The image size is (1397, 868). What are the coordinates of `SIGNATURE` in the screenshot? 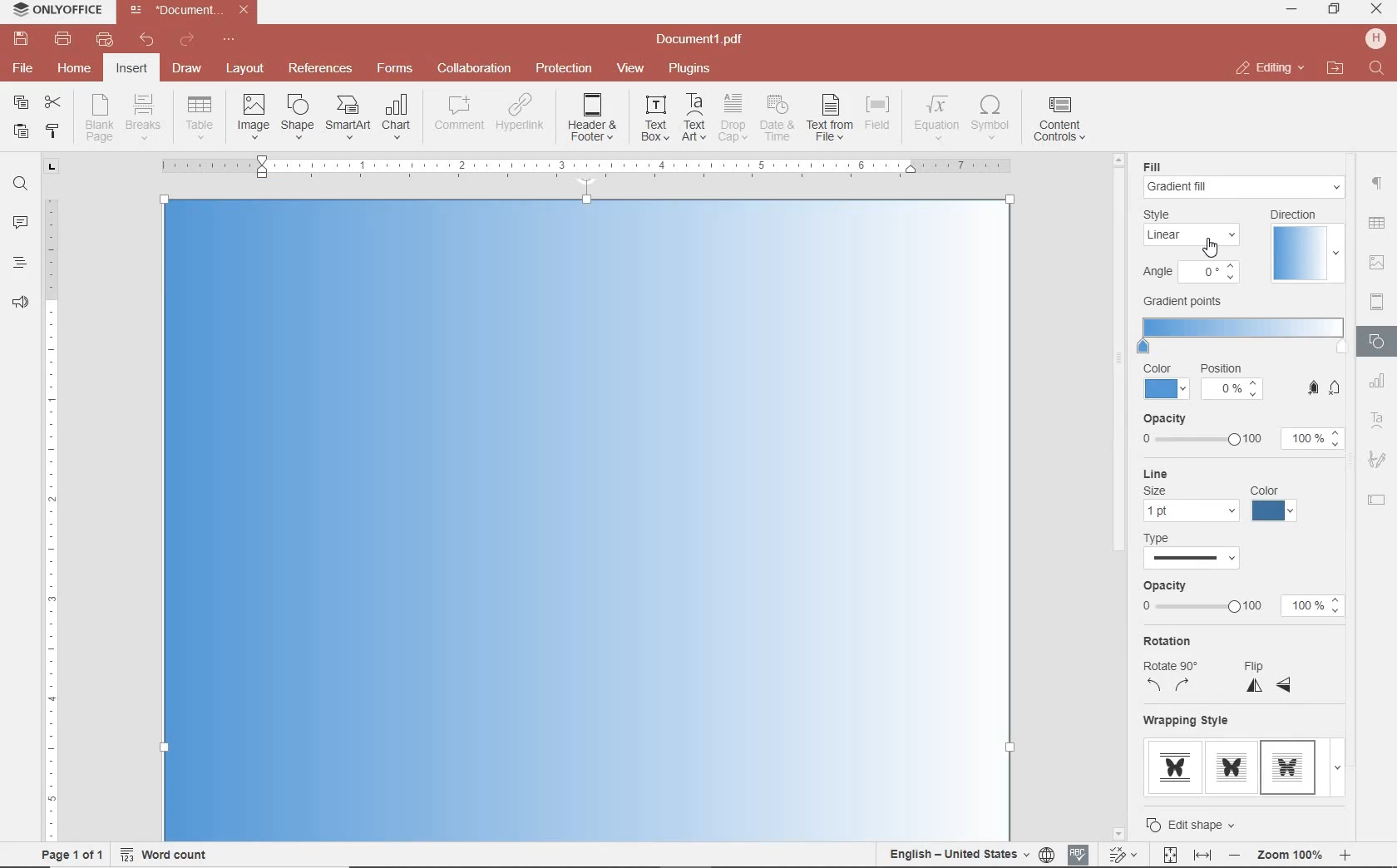 It's located at (1377, 461).